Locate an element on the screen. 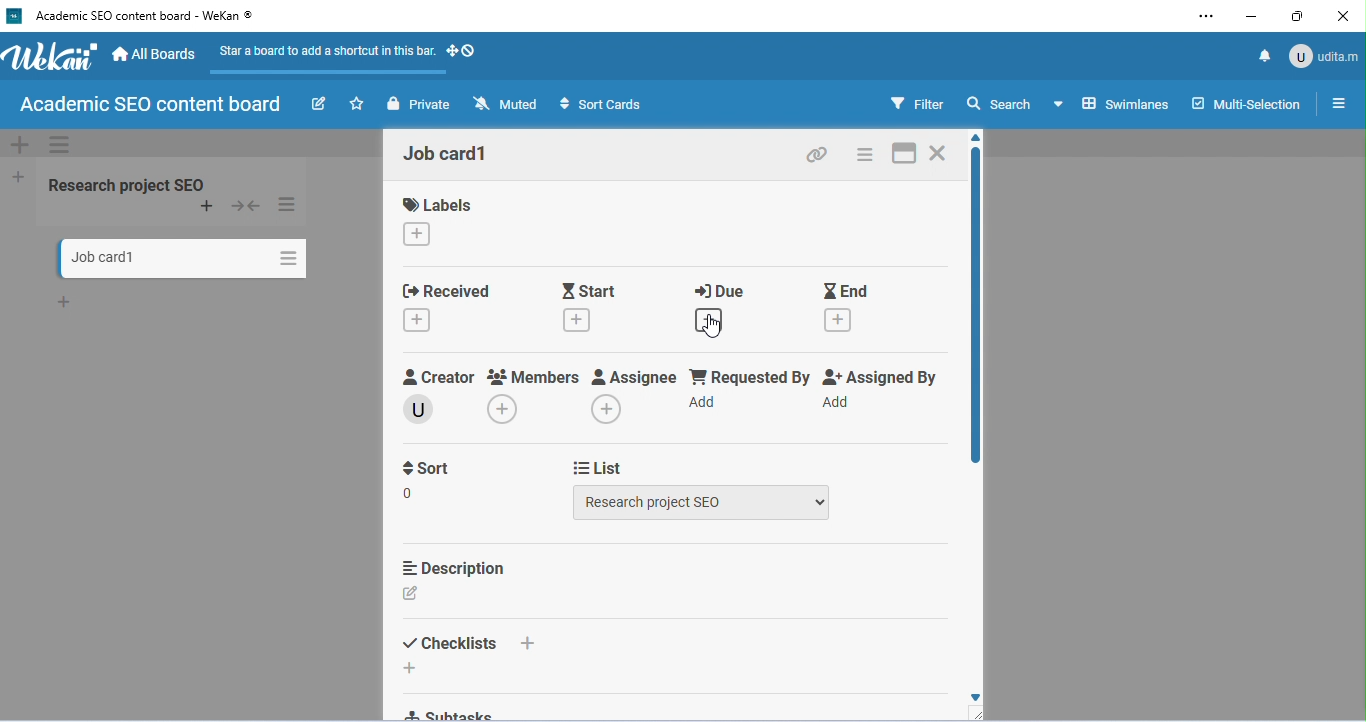 Image resolution: width=1366 pixels, height=722 pixels. multi-selection is located at coordinates (1244, 105).